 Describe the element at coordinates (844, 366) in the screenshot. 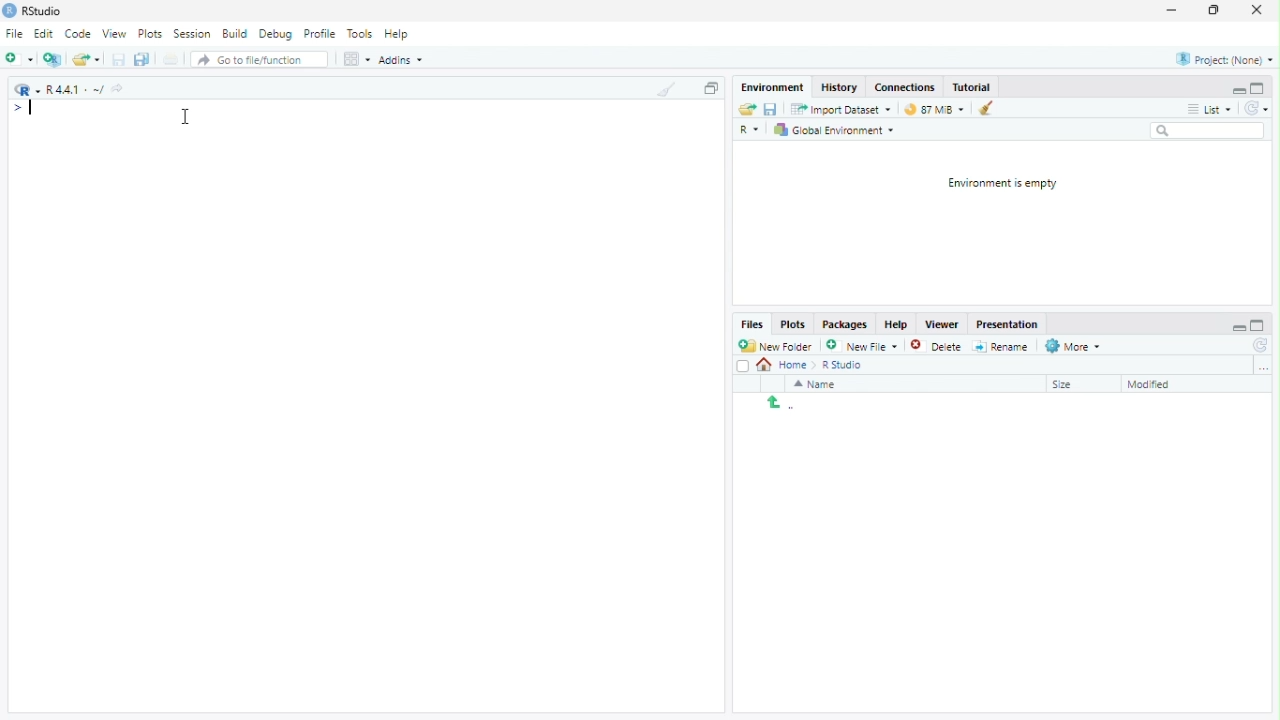

I see `R Studio` at that location.